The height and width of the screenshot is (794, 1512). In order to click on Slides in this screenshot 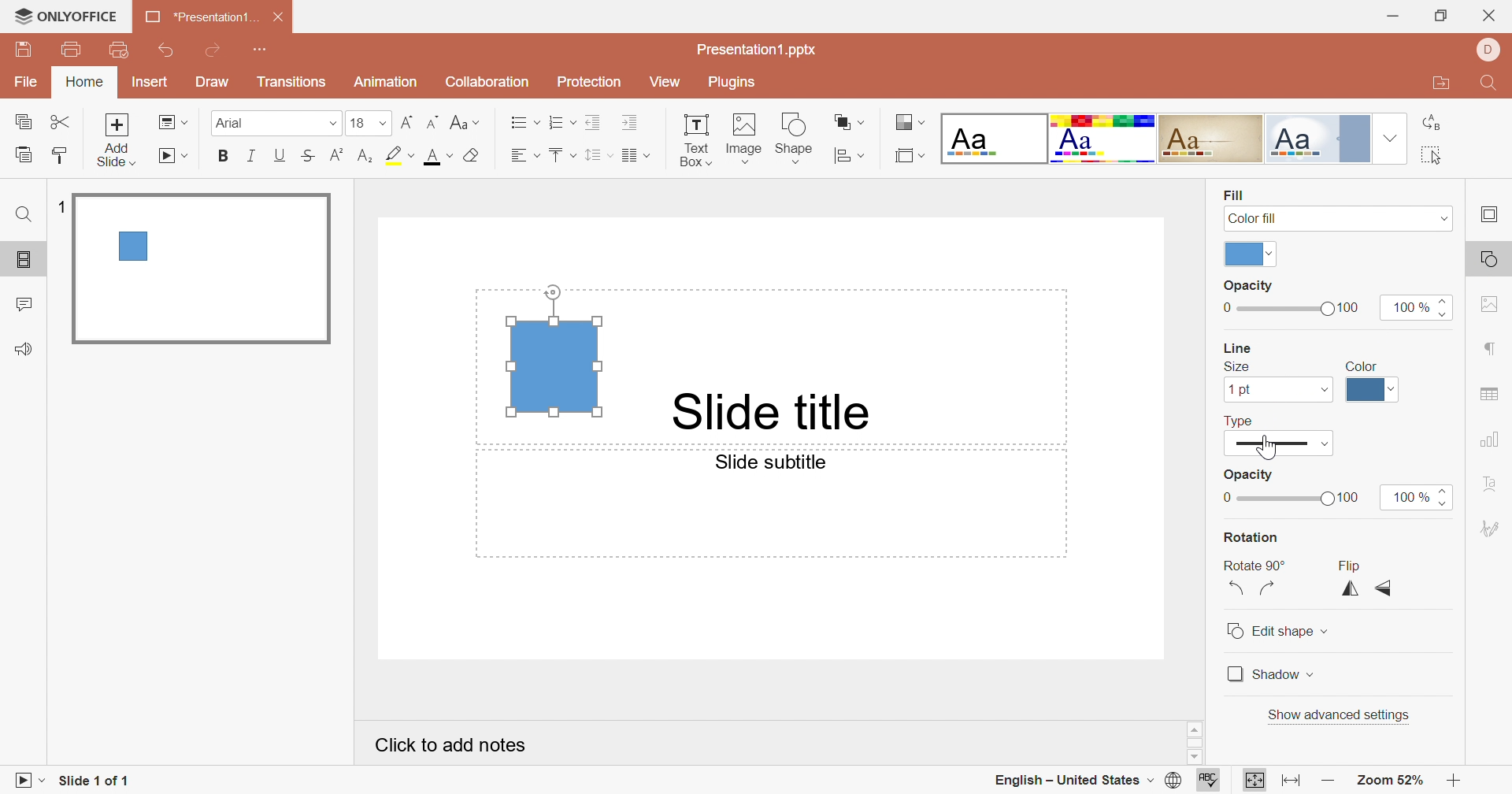, I will do `click(27, 260)`.